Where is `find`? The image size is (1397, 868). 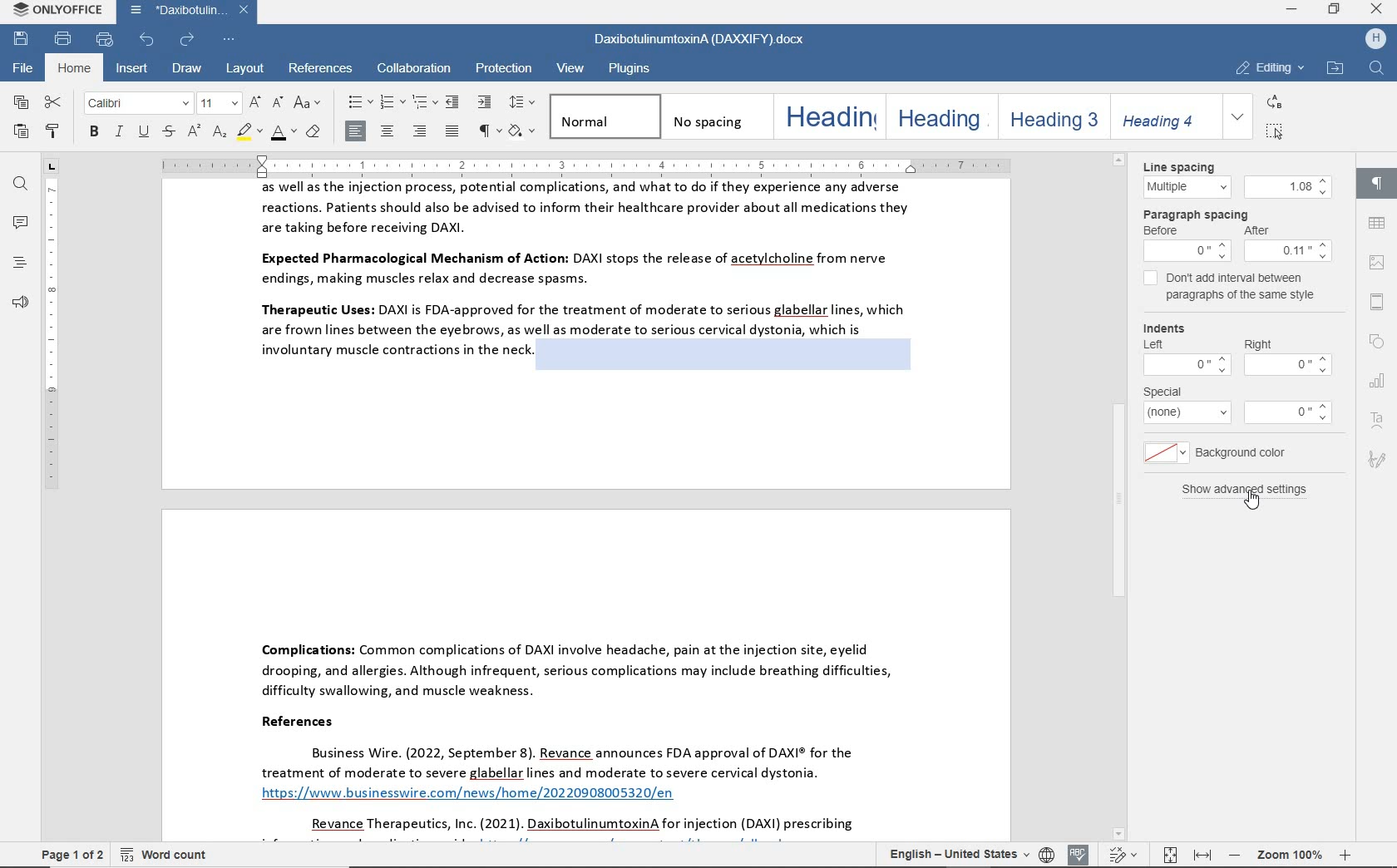 find is located at coordinates (1375, 70).